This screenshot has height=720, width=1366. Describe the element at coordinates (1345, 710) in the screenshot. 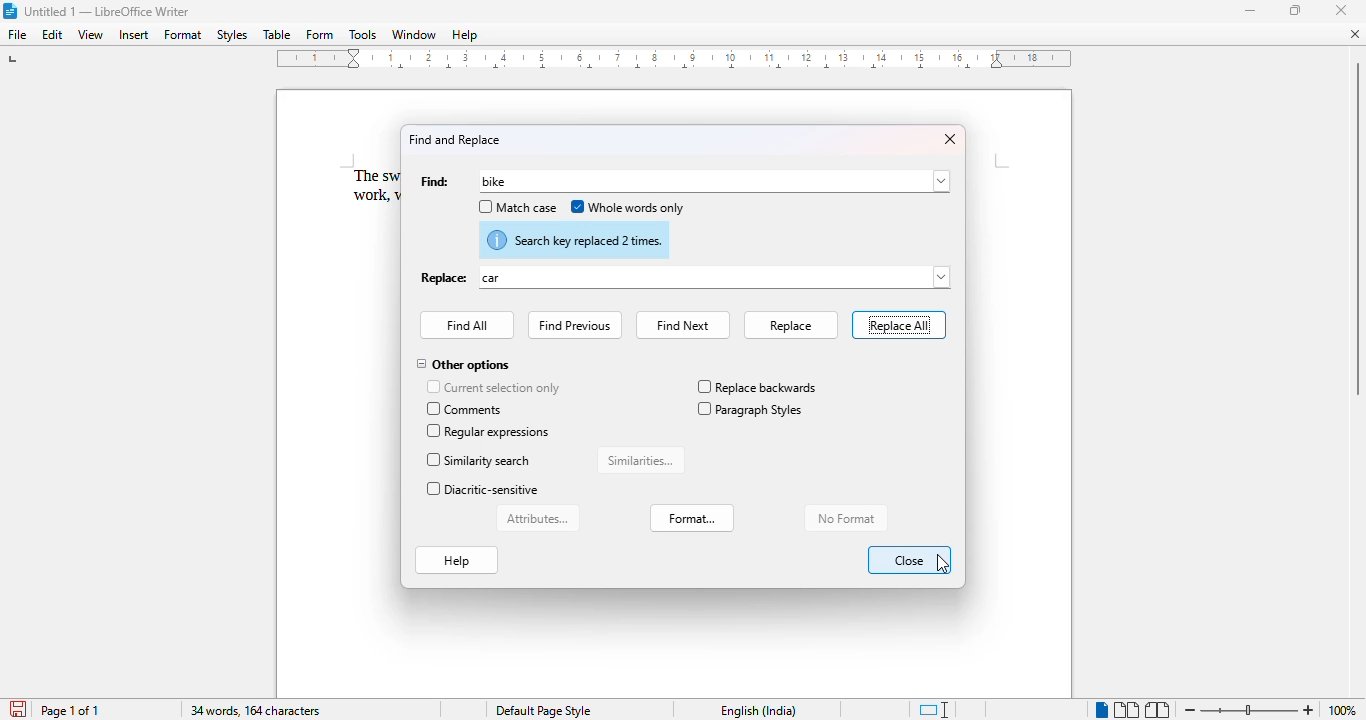

I see `100% (current zoom level)` at that location.